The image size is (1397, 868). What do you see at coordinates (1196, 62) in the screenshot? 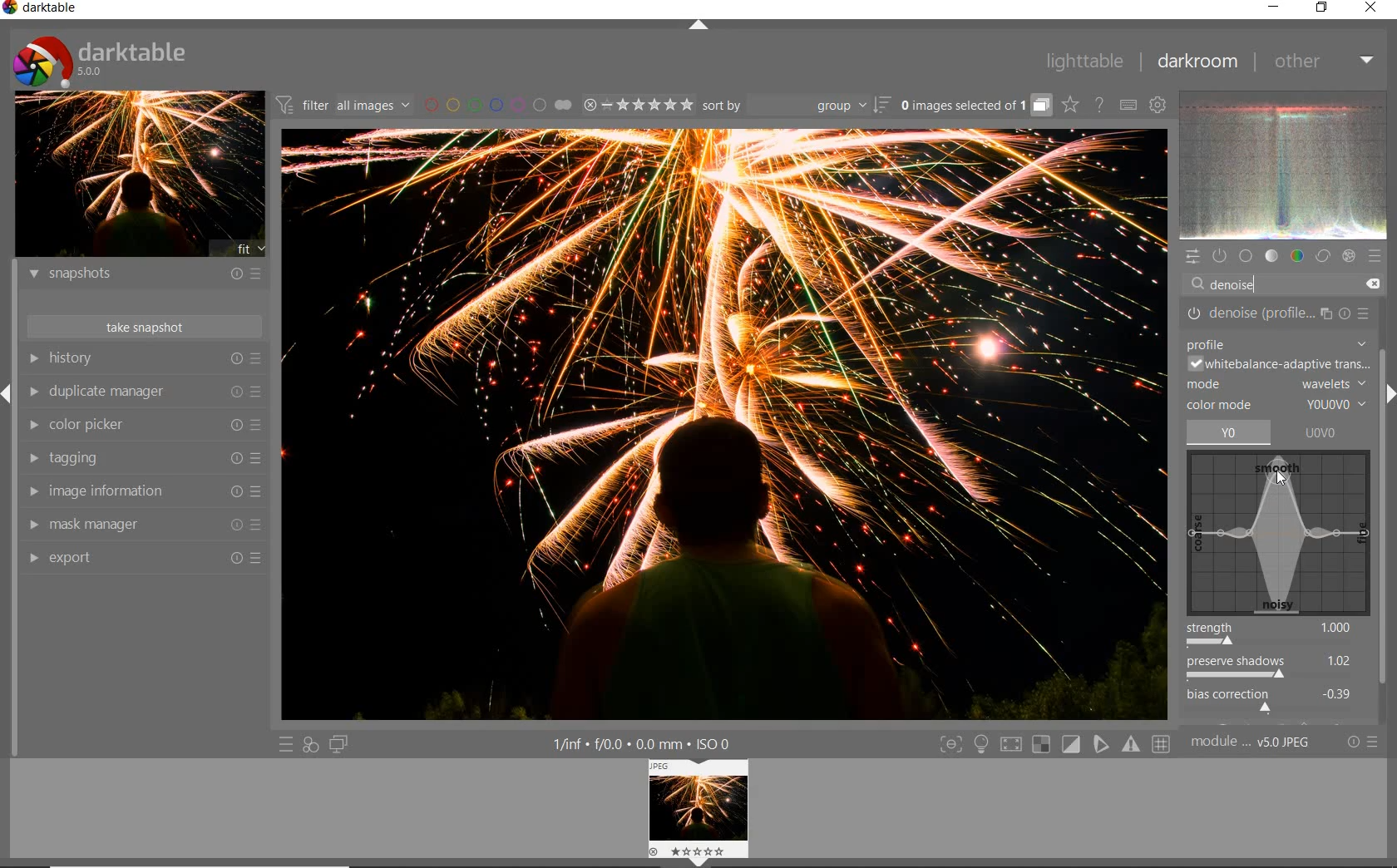
I see `darkroom` at bounding box center [1196, 62].